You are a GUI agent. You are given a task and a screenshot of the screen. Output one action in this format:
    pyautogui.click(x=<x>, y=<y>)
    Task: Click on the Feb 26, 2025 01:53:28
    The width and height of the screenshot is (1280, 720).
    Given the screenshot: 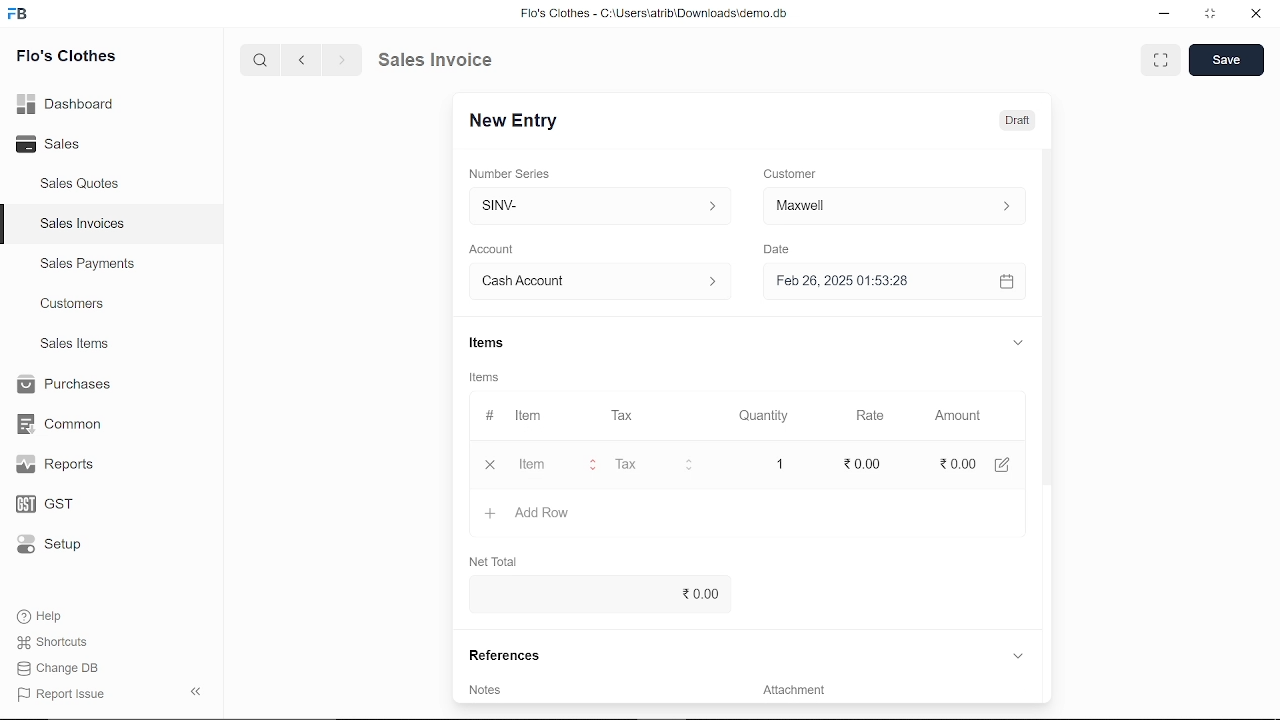 What is the action you would take?
    pyautogui.click(x=870, y=282)
    